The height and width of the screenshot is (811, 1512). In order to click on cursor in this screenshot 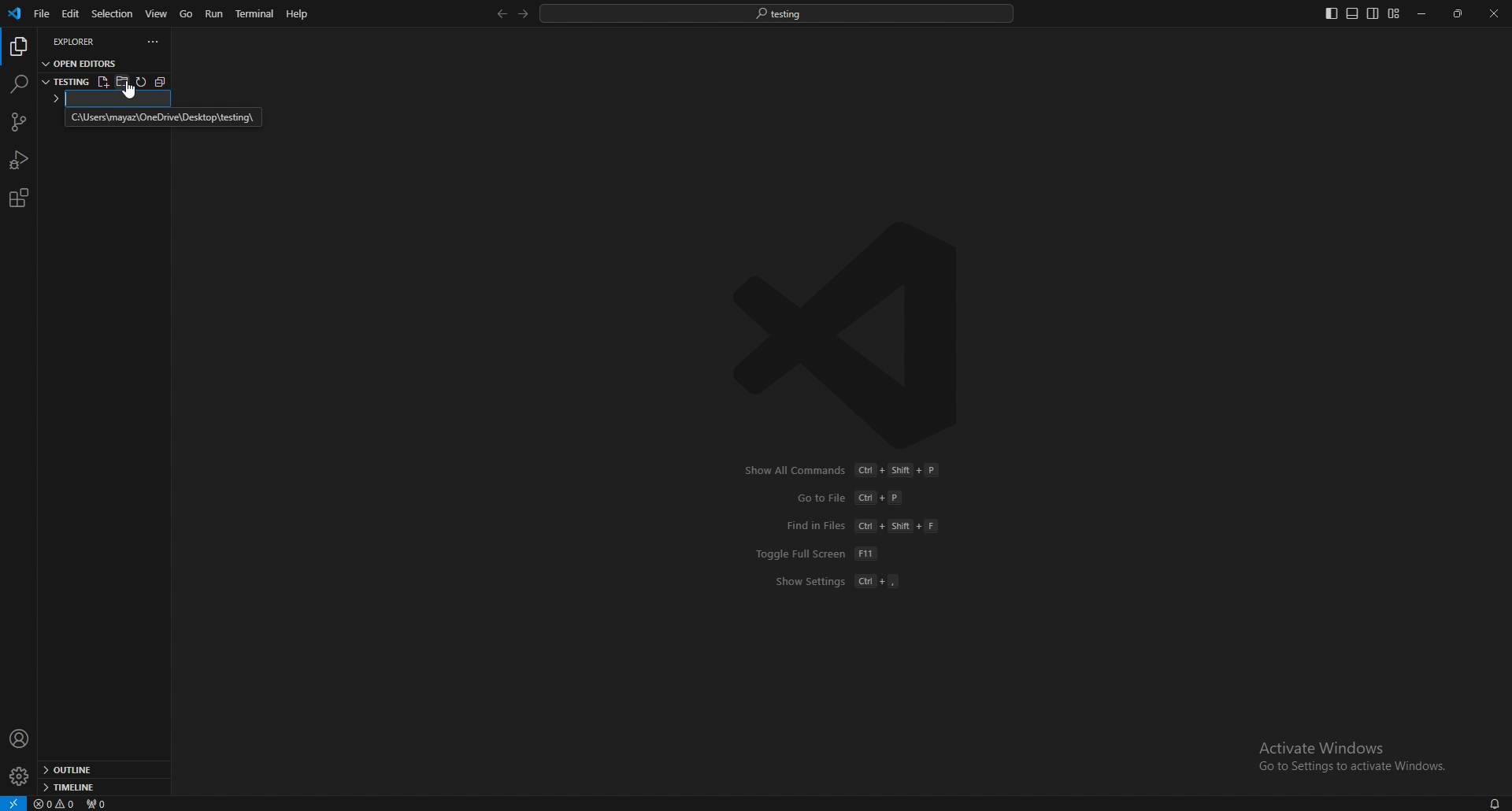, I will do `click(132, 90)`.